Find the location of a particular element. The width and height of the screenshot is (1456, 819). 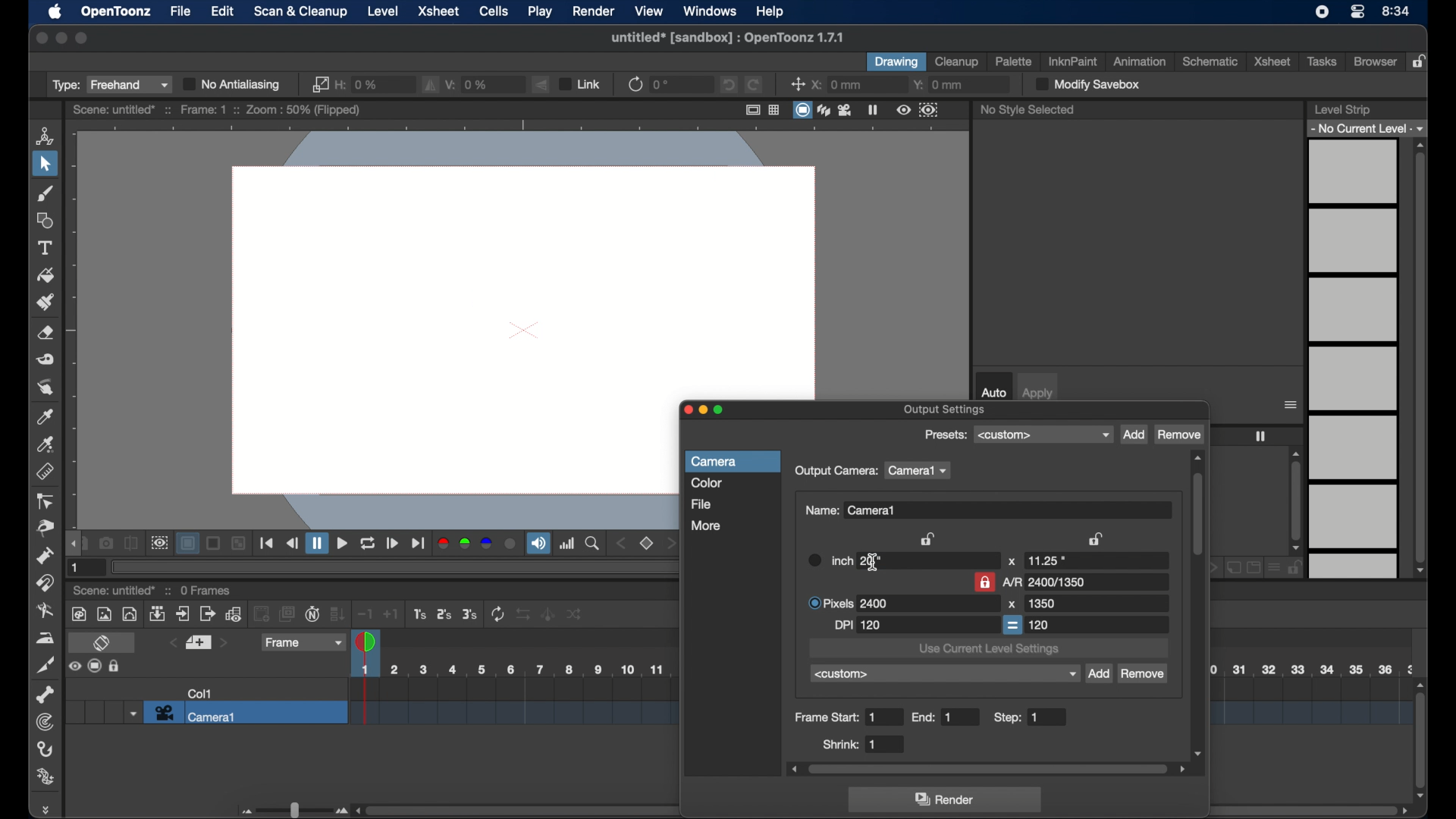

xsheet is located at coordinates (438, 11).